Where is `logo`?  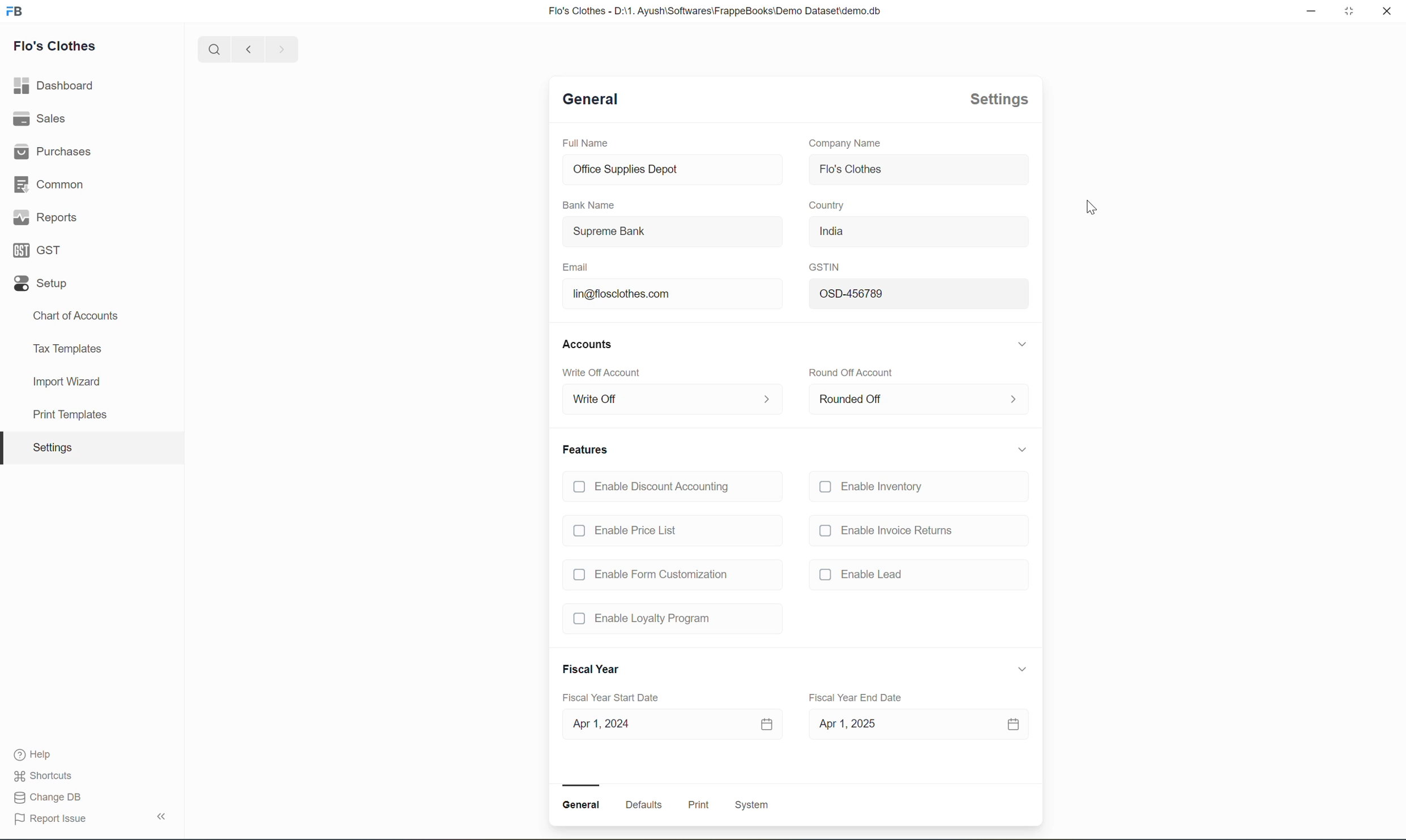
logo is located at coordinates (15, 10).